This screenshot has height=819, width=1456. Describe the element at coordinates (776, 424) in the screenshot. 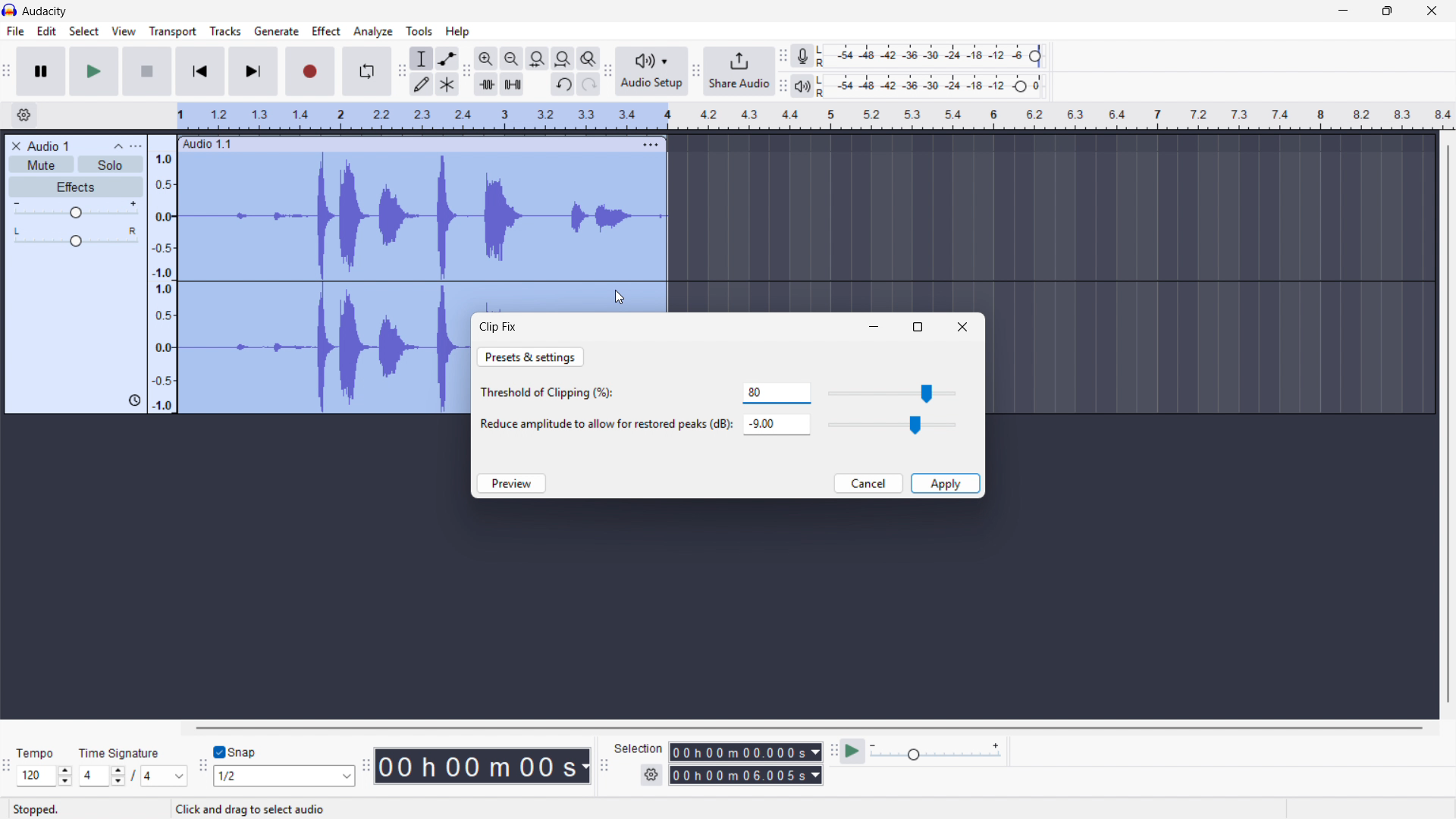

I see `Reduce amplitude to allow for restored peaks` at that location.